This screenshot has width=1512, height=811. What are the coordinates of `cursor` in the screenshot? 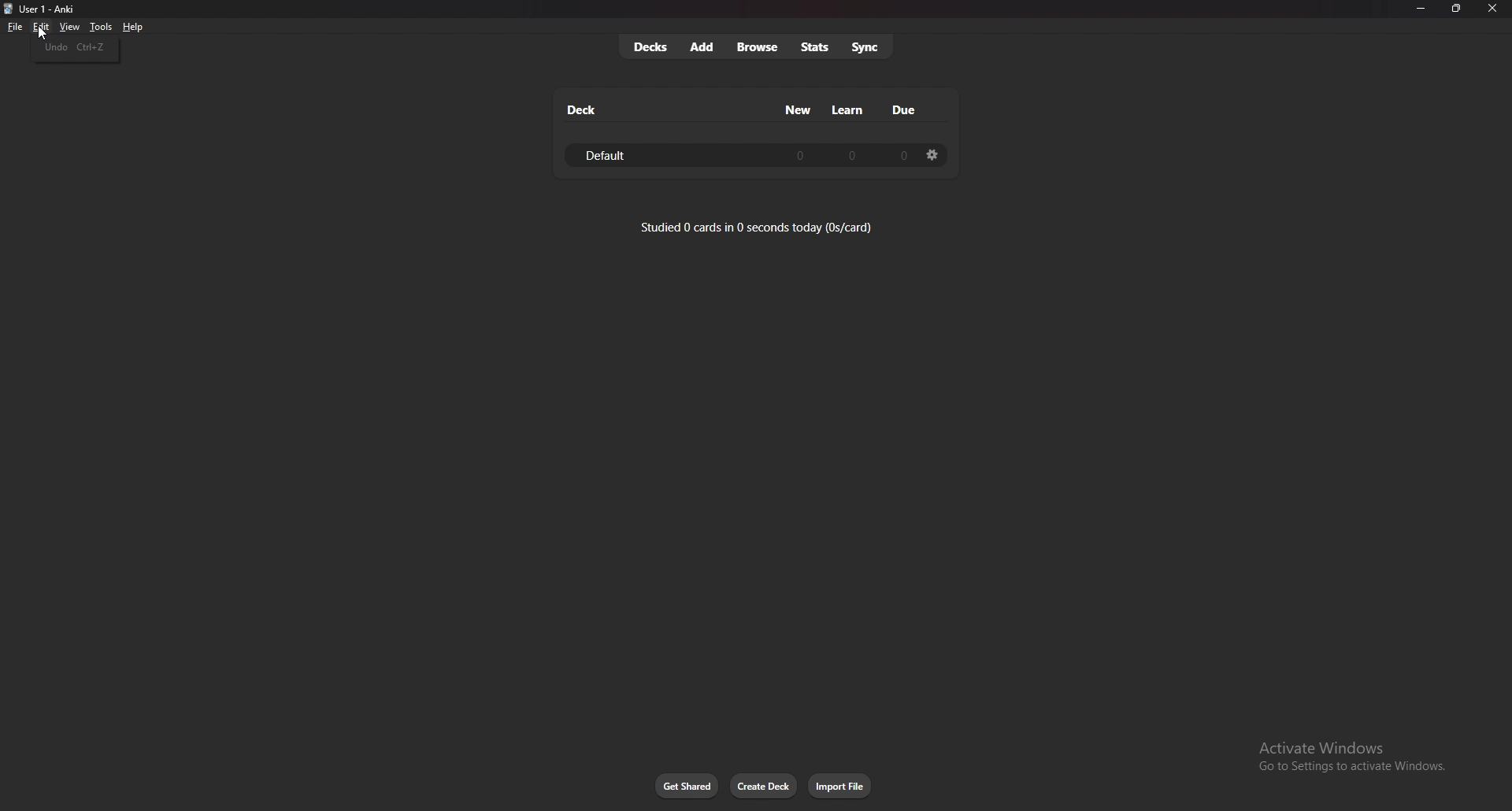 It's located at (41, 36).